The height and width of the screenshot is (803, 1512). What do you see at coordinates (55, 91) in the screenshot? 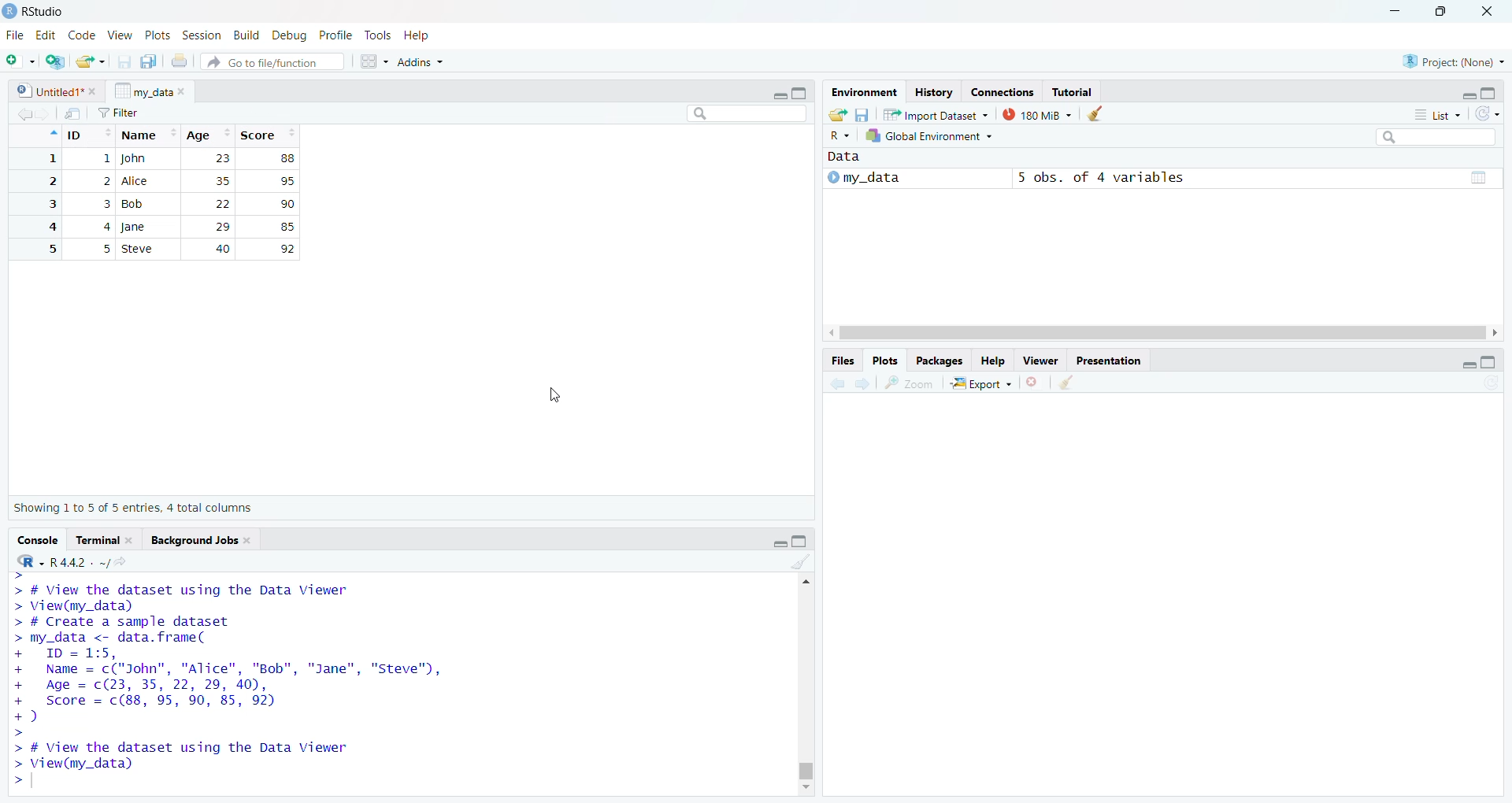
I see `Untitles` at bounding box center [55, 91].